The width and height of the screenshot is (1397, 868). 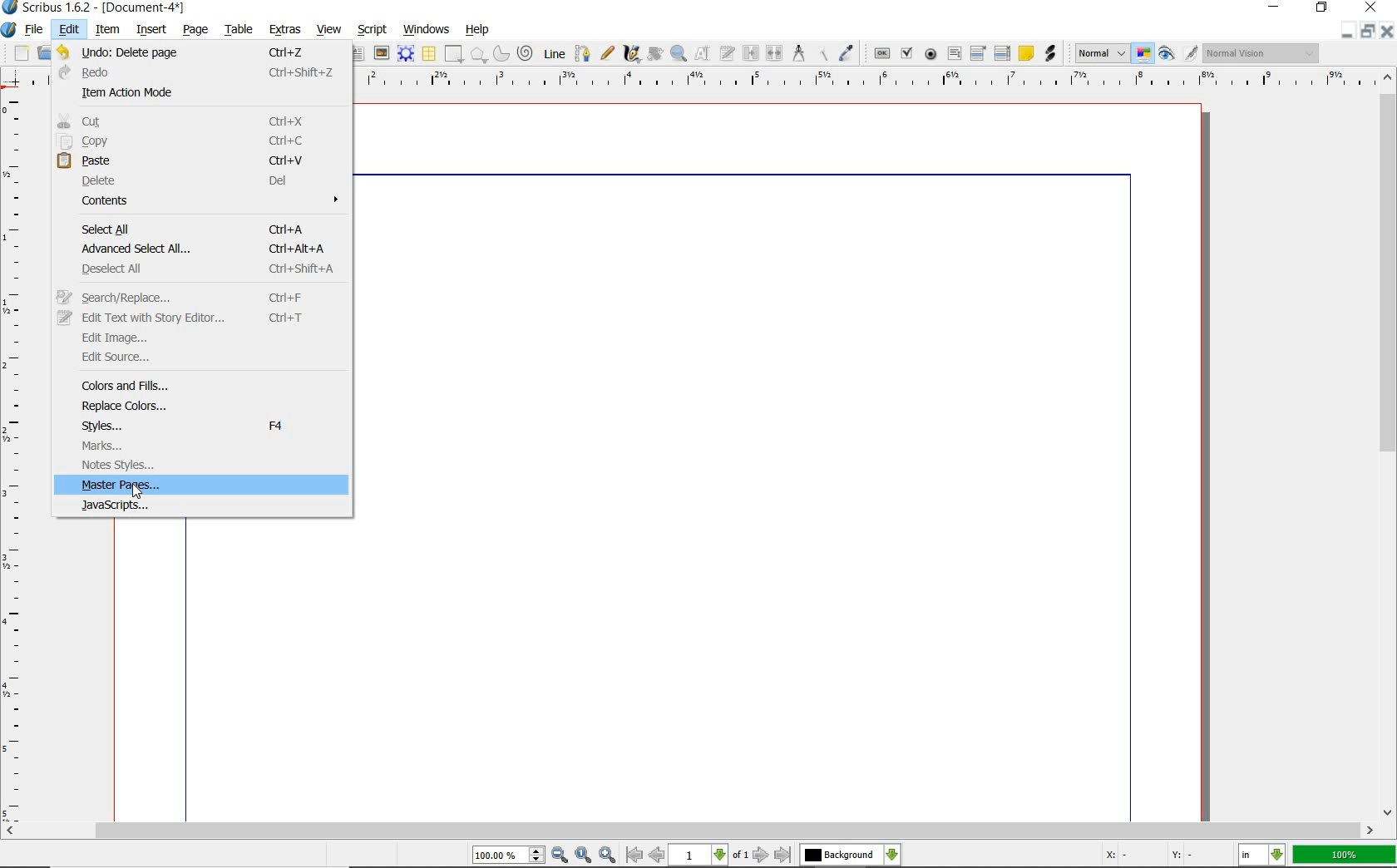 What do you see at coordinates (580, 53) in the screenshot?
I see `Bezier curve` at bounding box center [580, 53].